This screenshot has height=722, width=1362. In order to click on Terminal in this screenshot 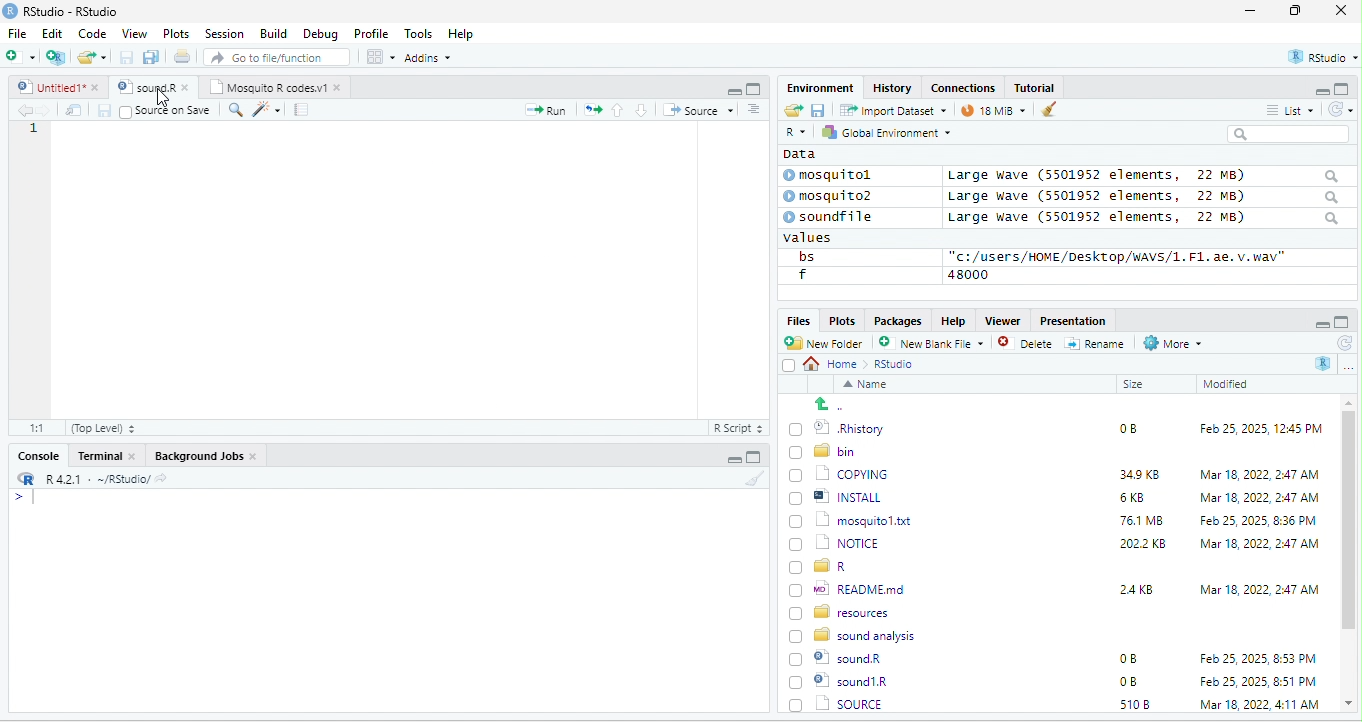, I will do `click(107, 455)`.